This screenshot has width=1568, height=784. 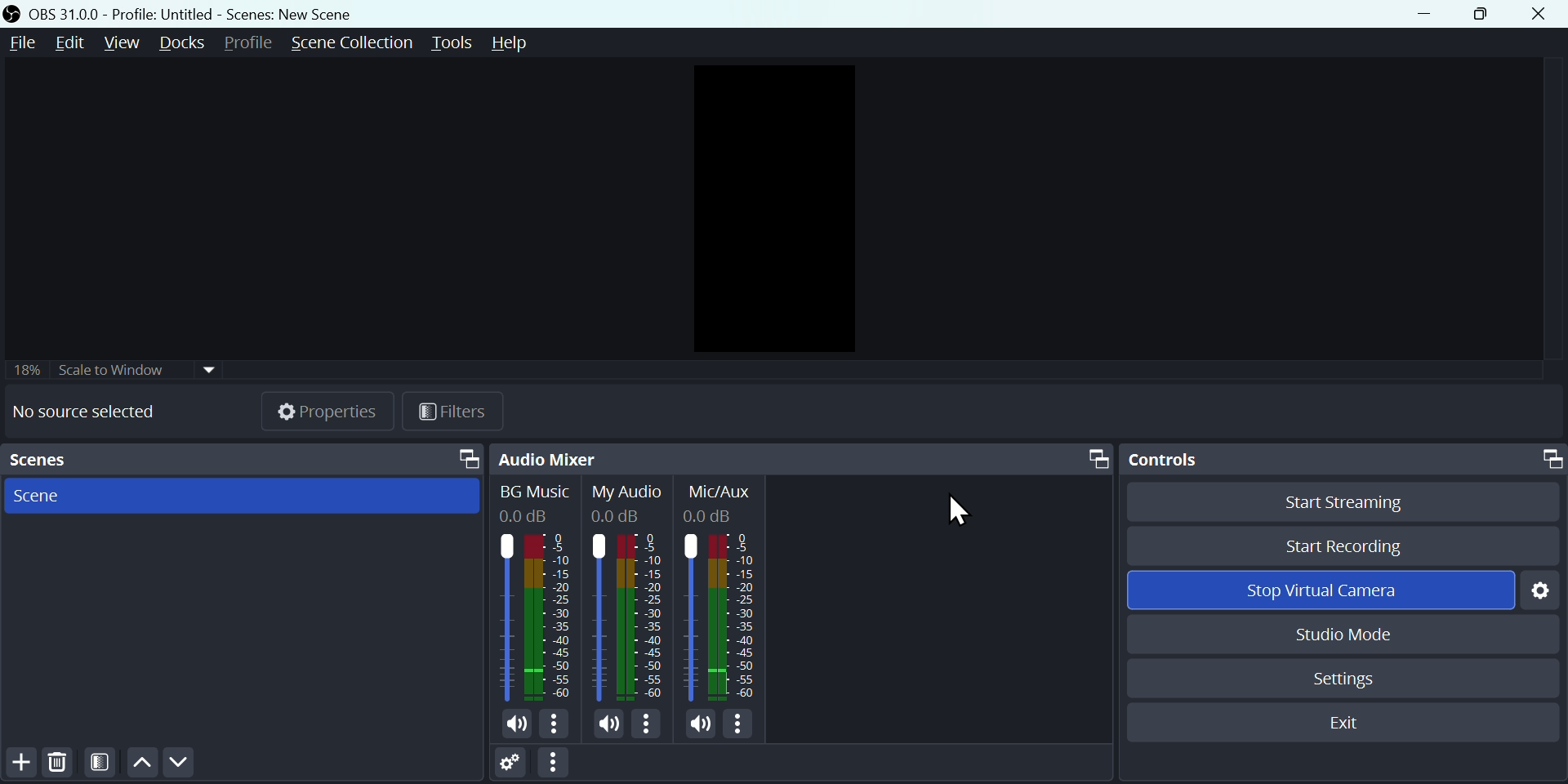 What do you see at coordinates (1539, 16) in the screenshot?
I see `Close` at bounding box center [1539, 16].